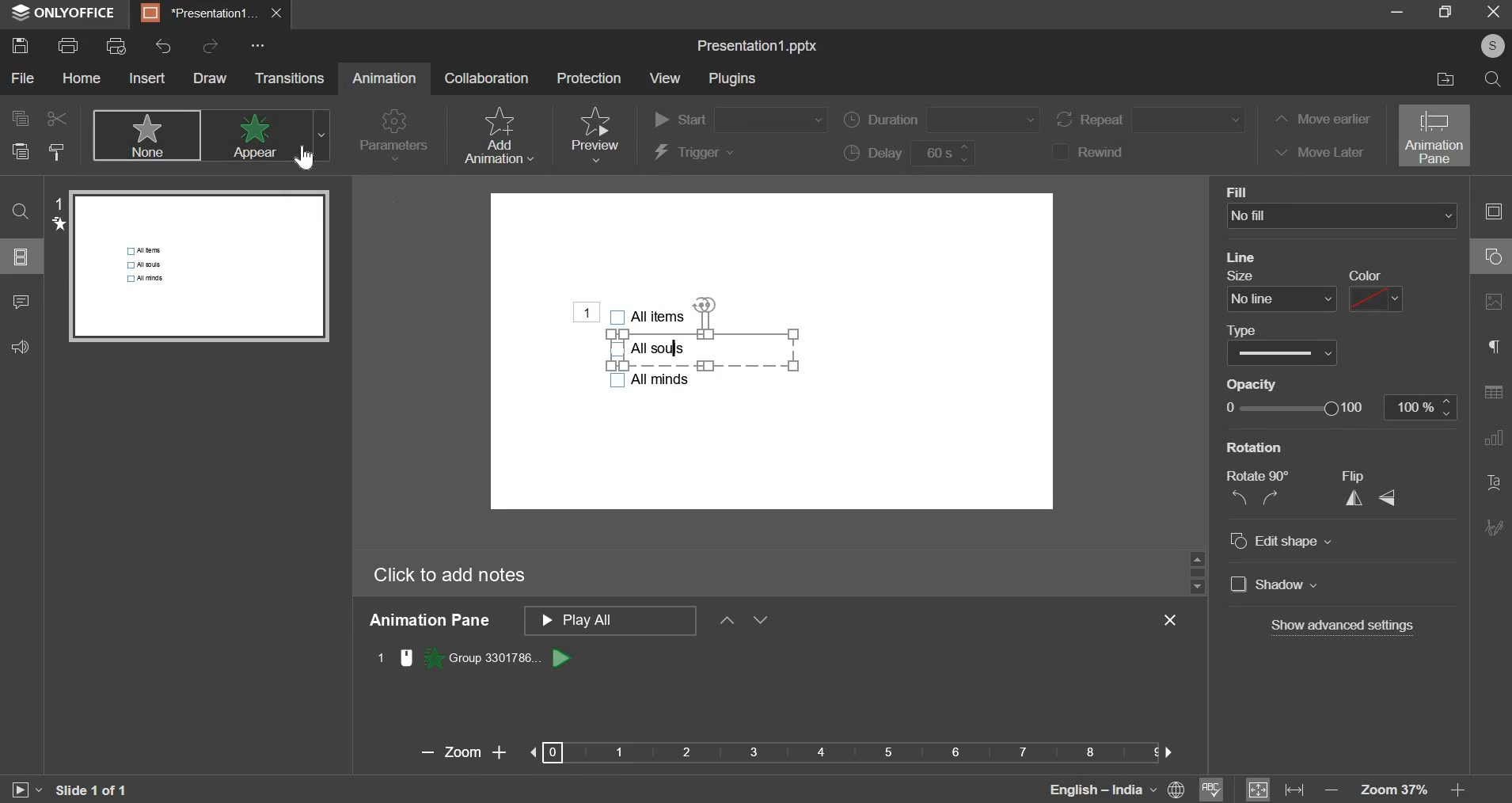 Image resolution: width=1512 pixels, height=803 pixels. What do you see at coordinates (1256, 497) in the screenshot?
I see `rotate` at bounding box center [1256, 497].